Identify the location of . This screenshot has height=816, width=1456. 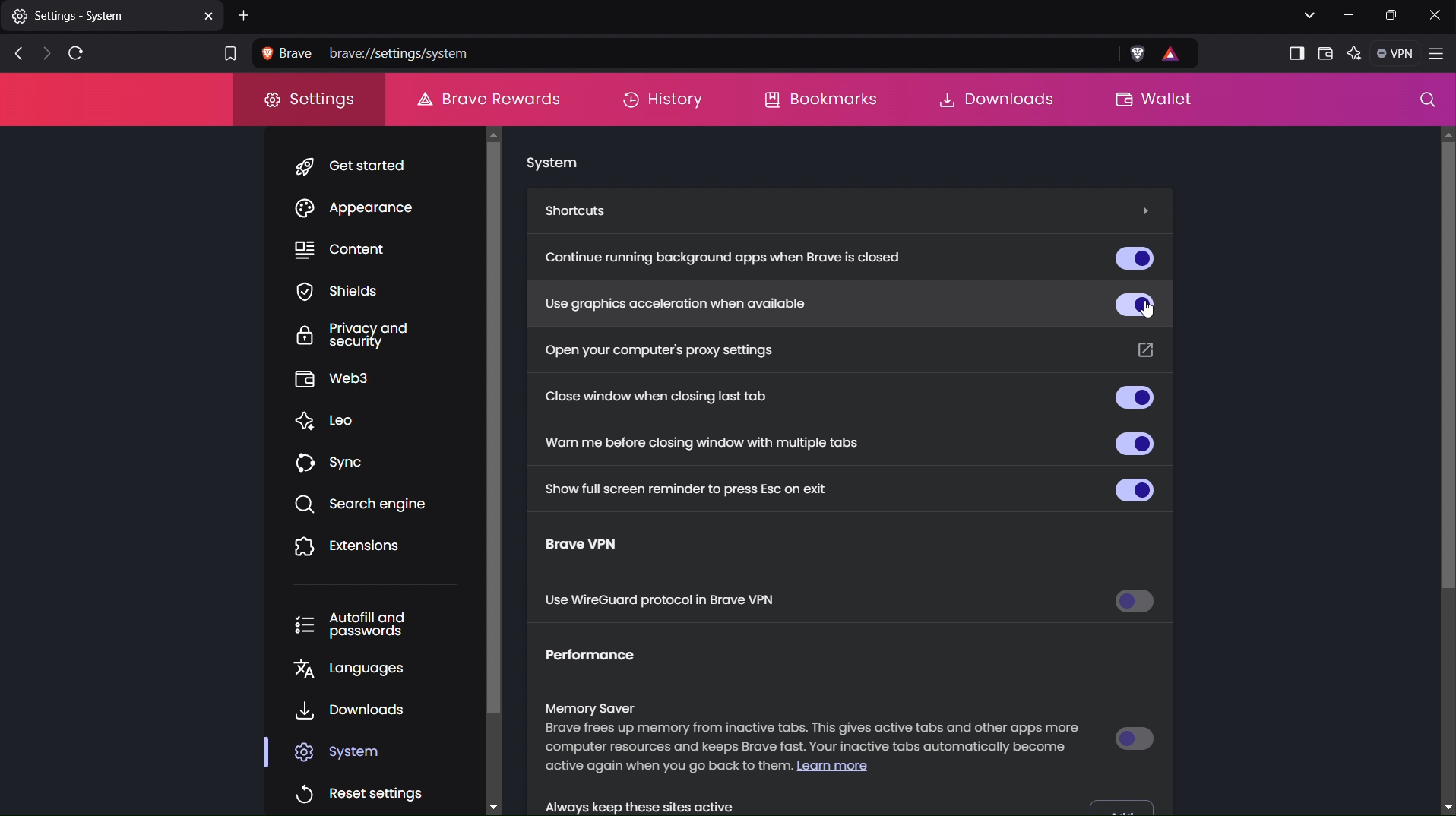
(1447, 368).